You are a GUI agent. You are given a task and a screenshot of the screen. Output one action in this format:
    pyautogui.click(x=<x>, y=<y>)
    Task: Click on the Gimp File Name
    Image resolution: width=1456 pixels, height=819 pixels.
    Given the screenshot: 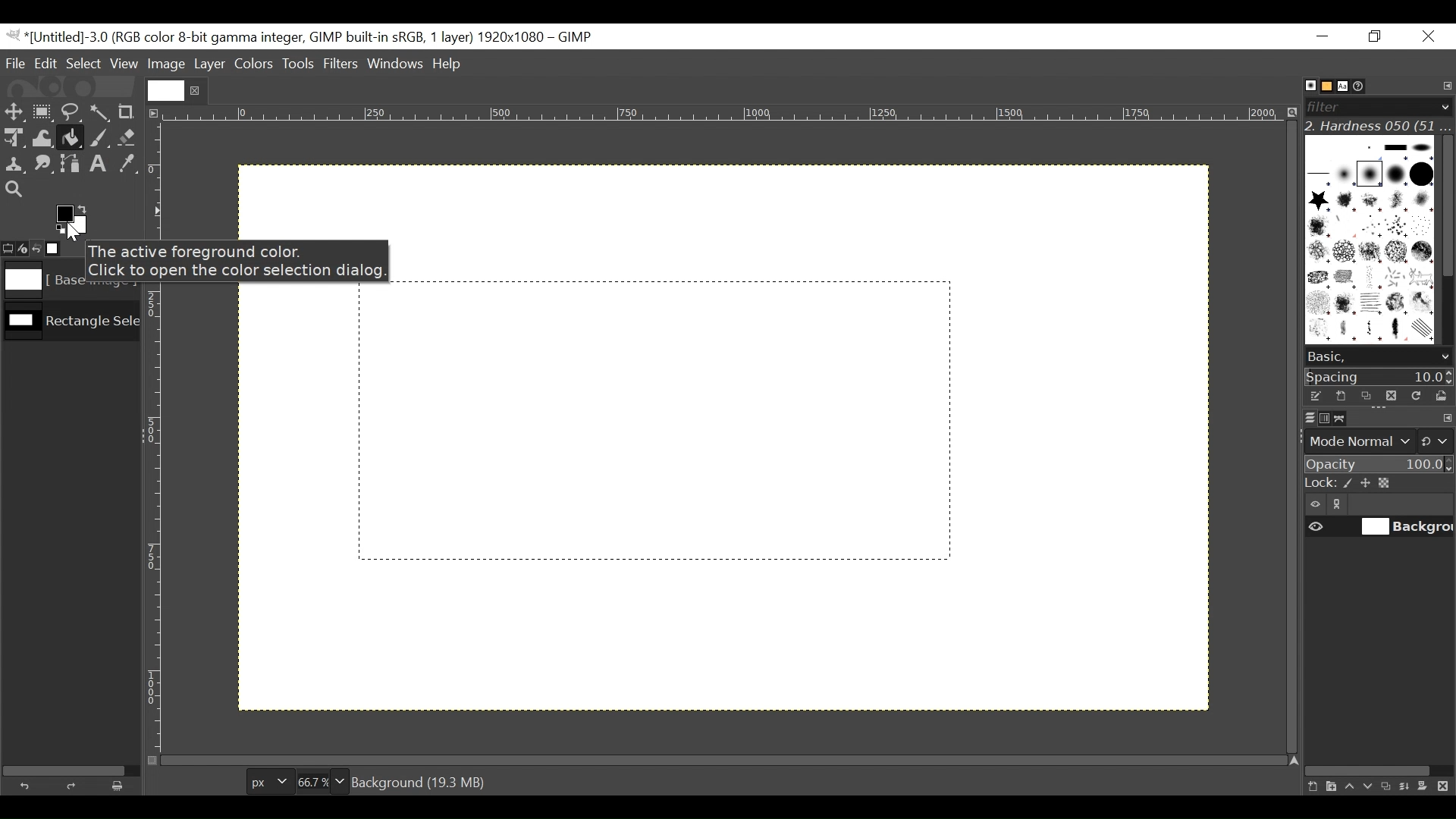 What is the action you would take?
    pyautogui.click(x=302, y=37)
    